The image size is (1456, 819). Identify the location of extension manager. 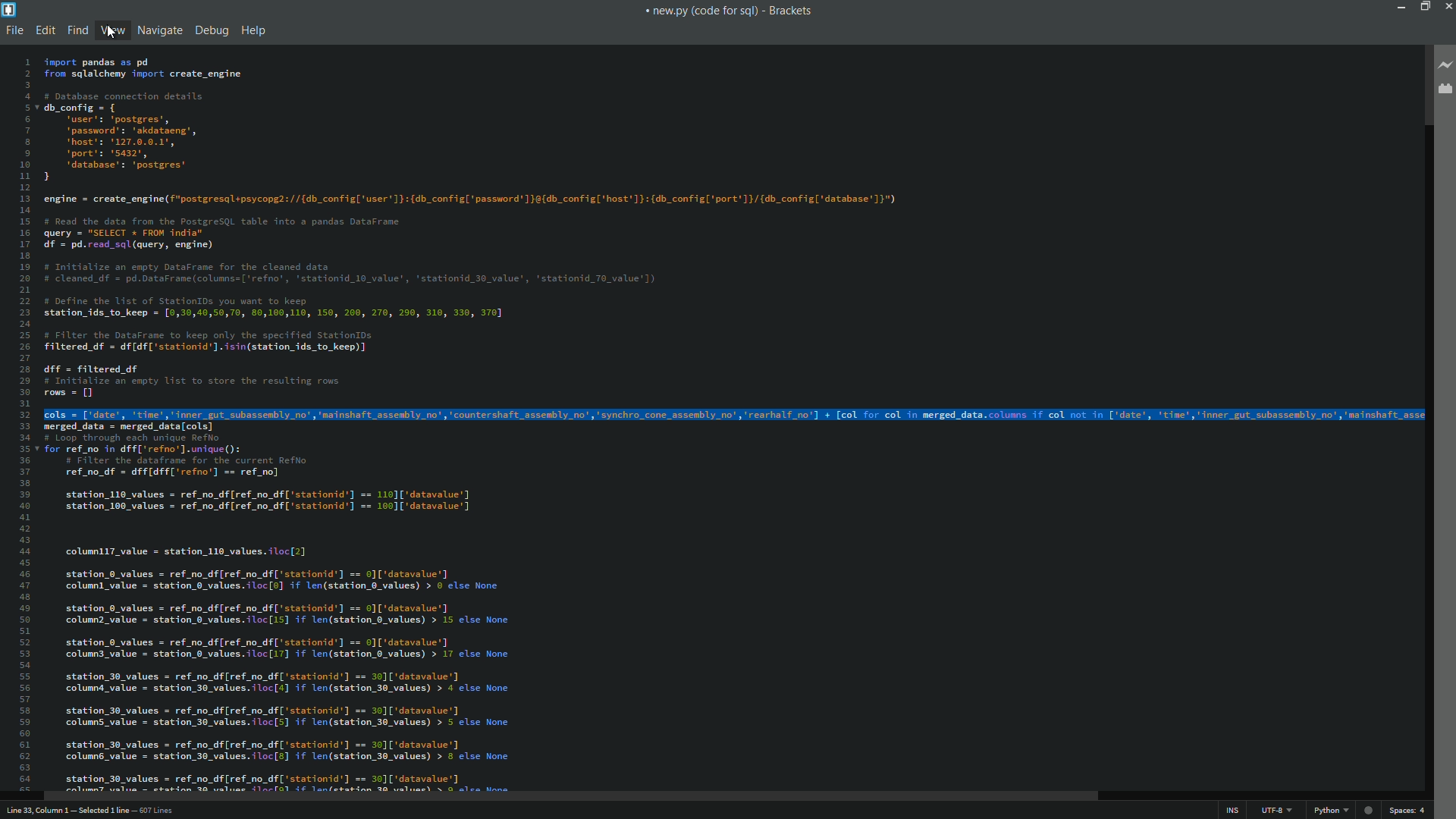
(1444, 89).